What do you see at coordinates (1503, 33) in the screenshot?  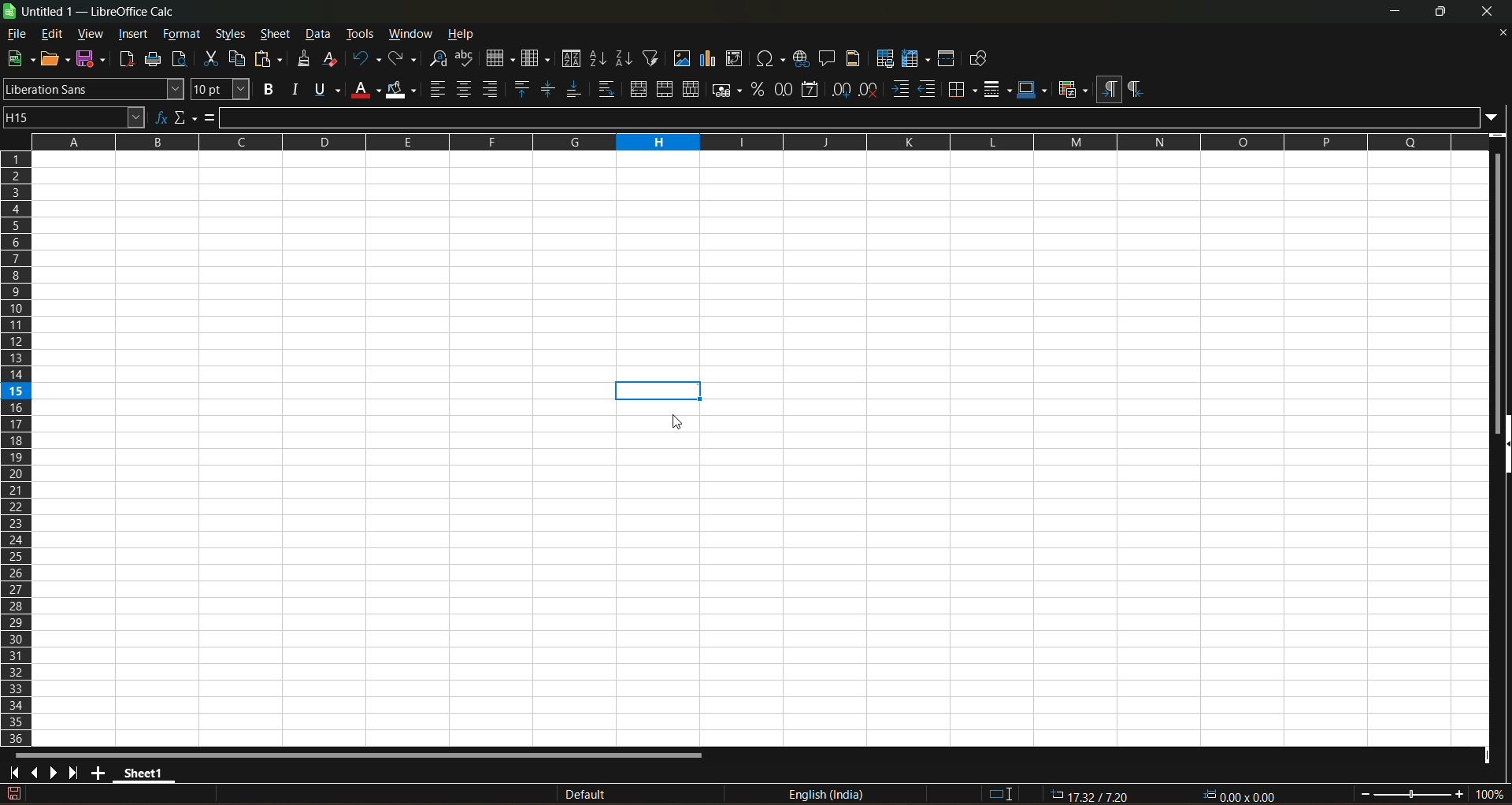 I see `close document` at bounding box center [1503, 33].